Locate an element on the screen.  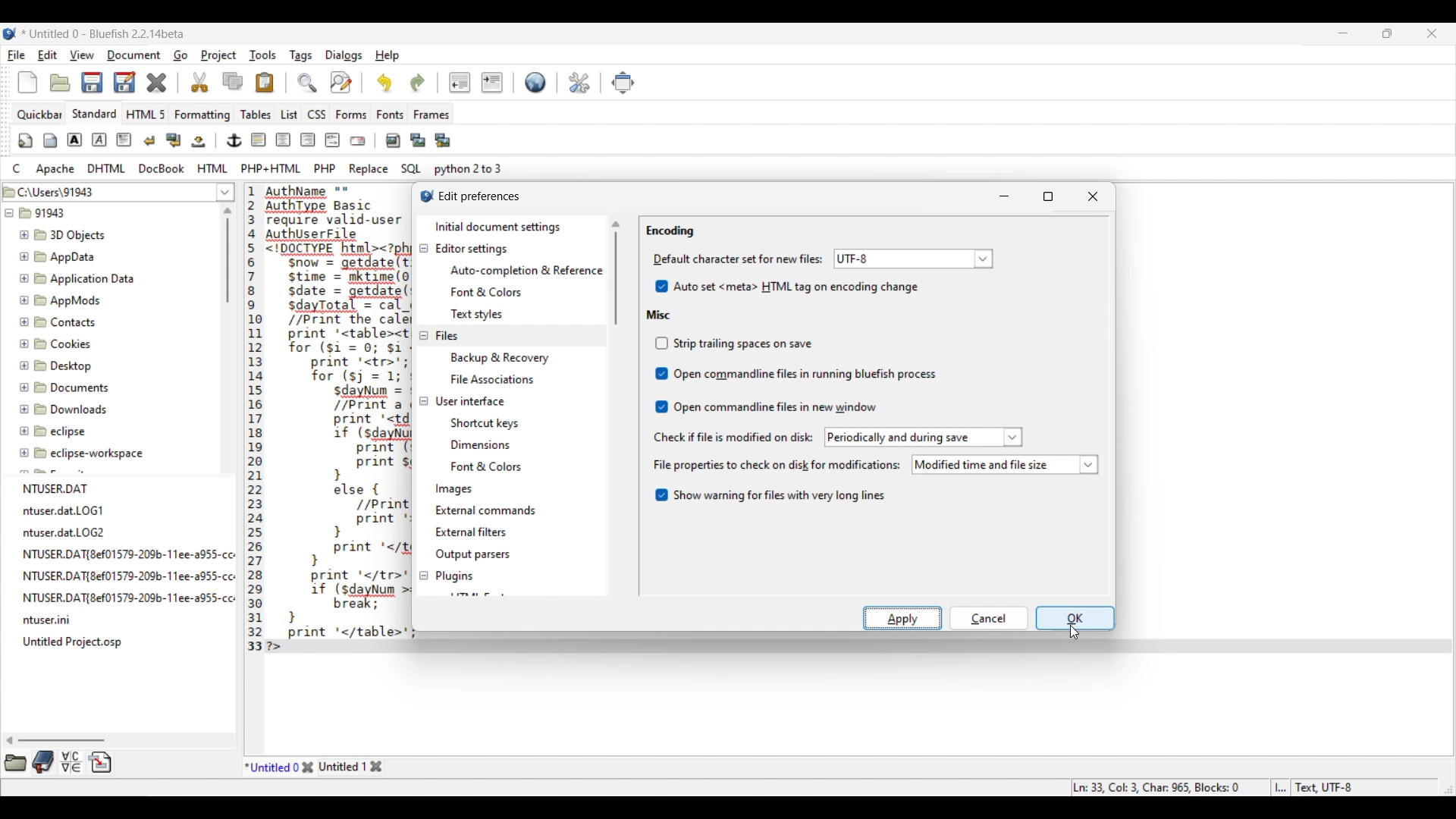
Project menu is located at coordinates (218, 55).